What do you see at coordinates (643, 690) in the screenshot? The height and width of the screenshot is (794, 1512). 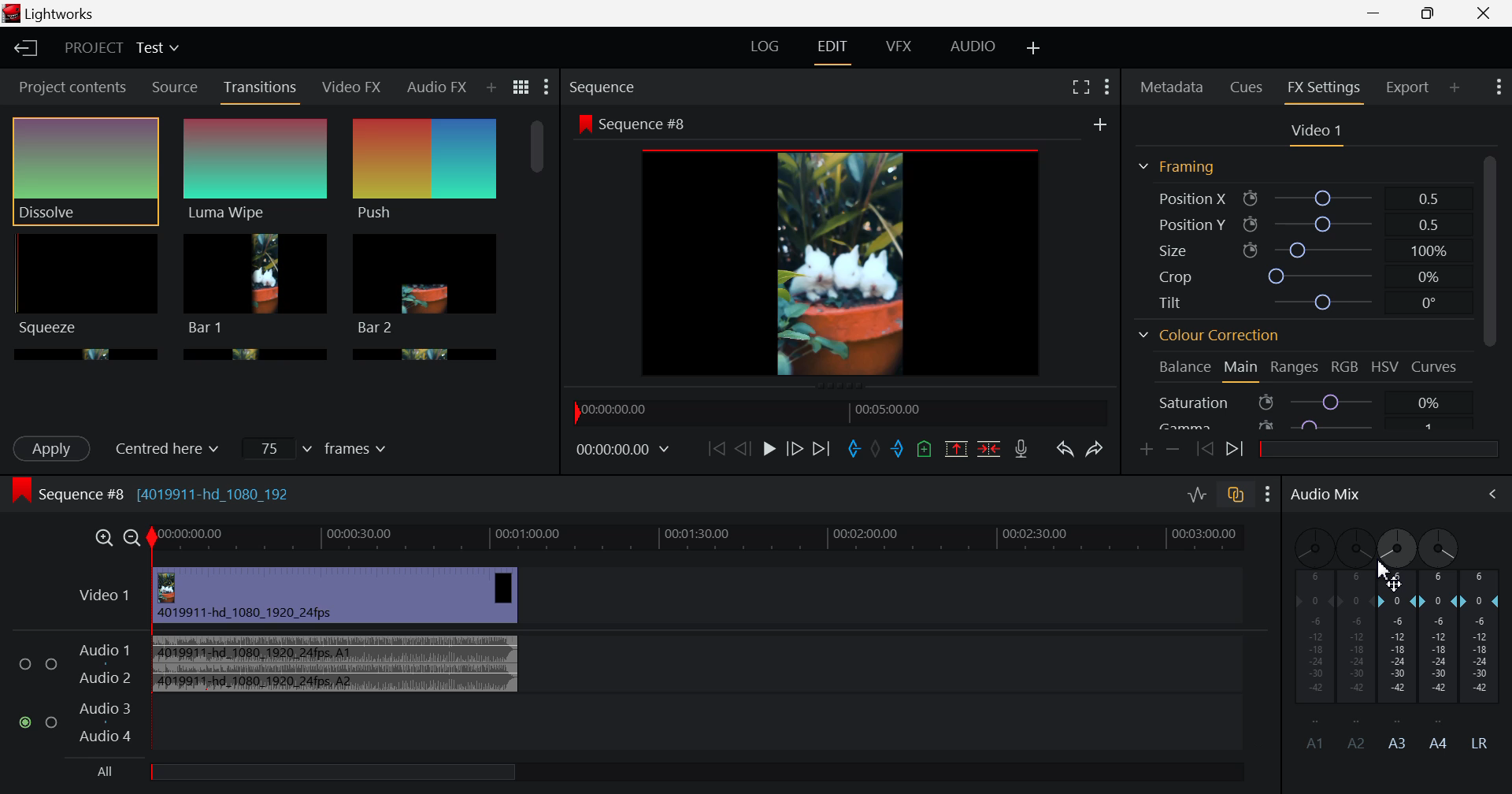 I see `Audio Input Field` at bounding box center [643, 690].